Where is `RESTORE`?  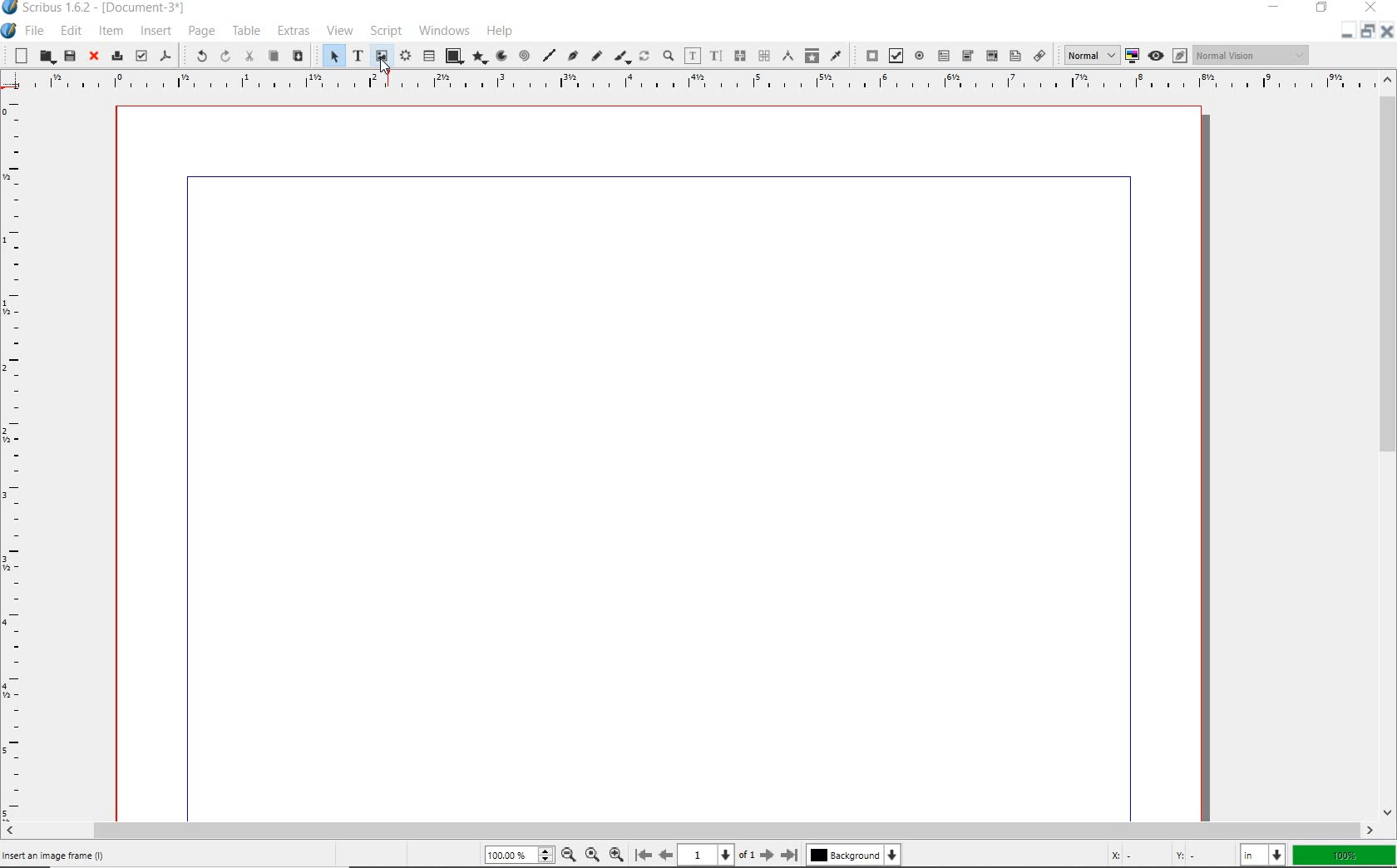 RESTORE is located at coordinates (1322, 8).